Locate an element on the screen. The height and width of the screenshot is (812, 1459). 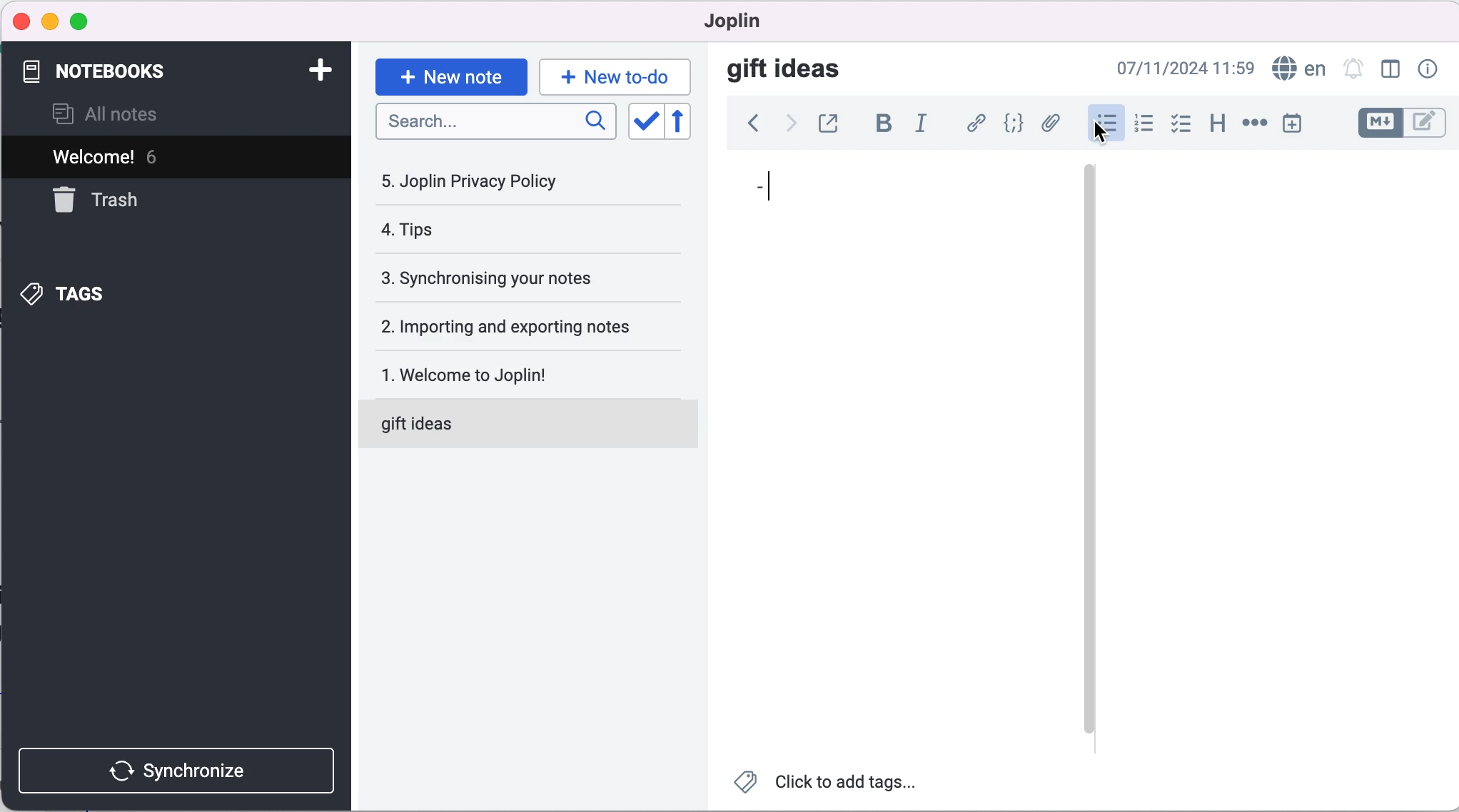
gift ideas note is located at coordinates (513, 425).